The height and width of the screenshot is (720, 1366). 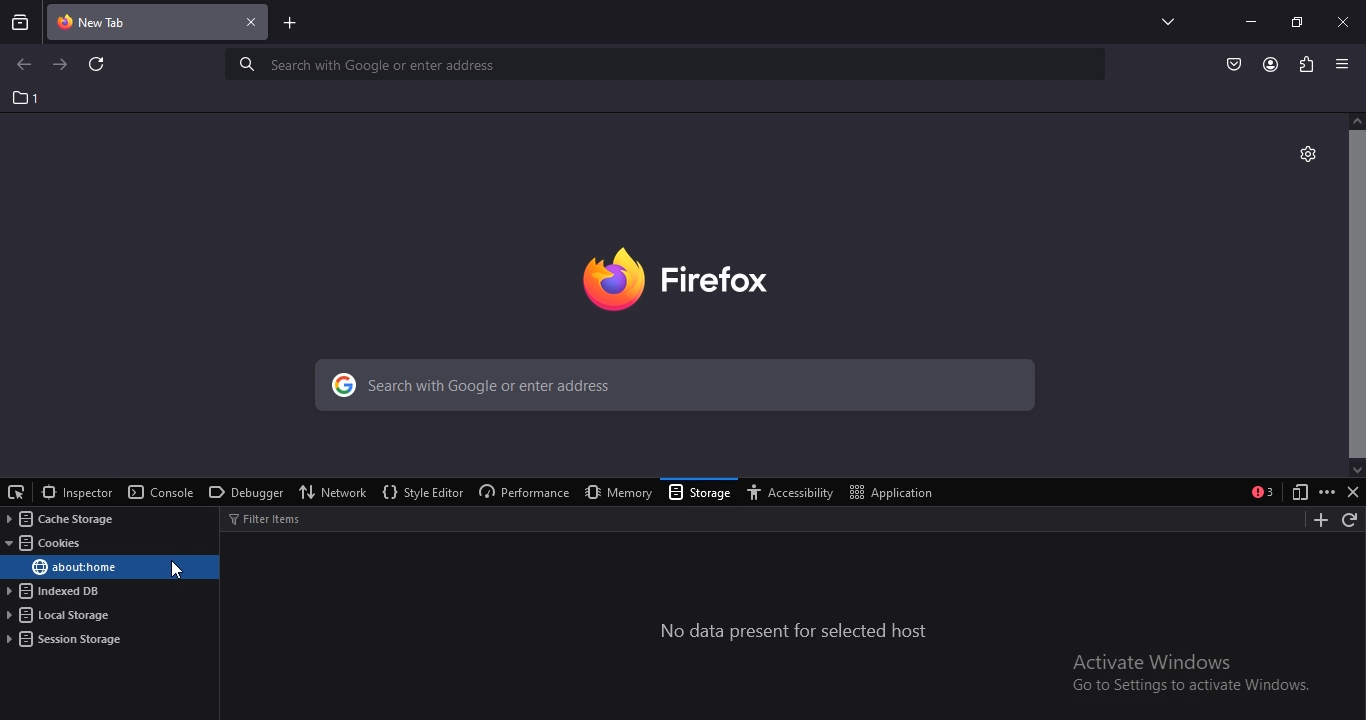 I want to click on list all tabs, so click(x=1163, y=21).